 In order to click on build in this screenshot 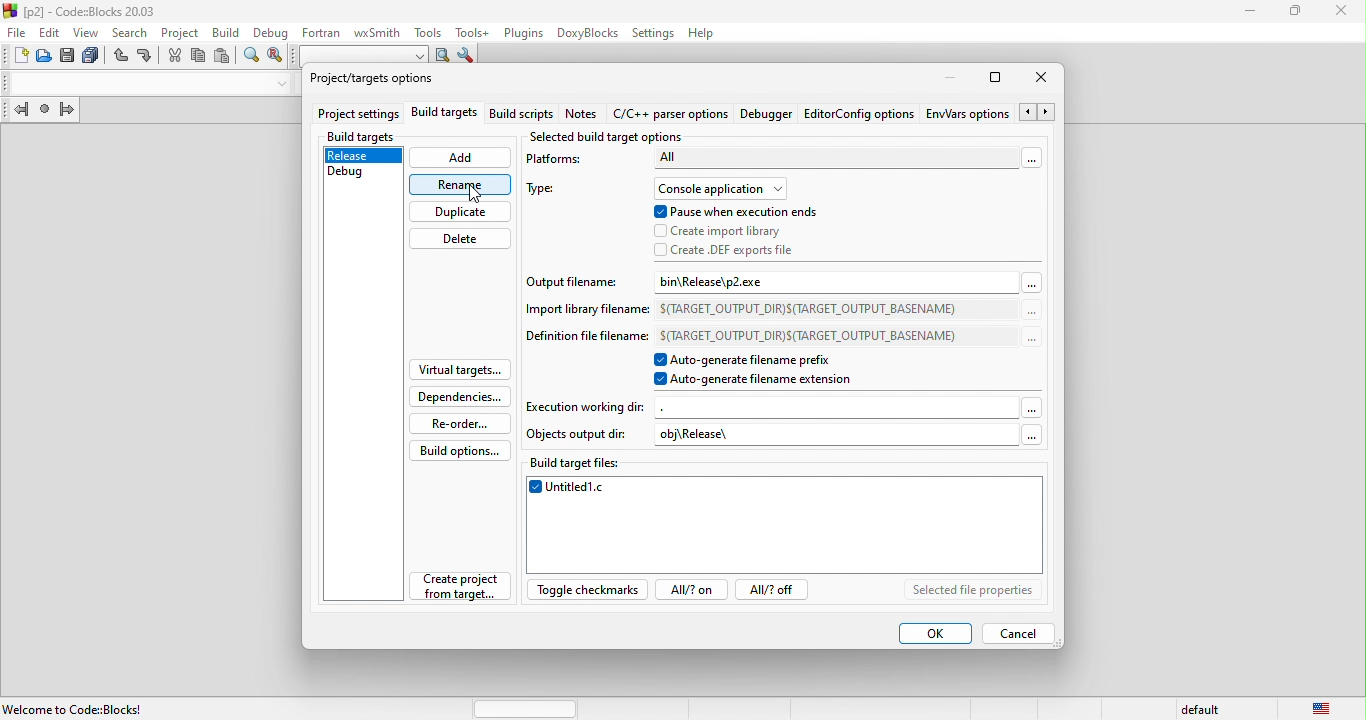, I will do `click(223, 31)`.